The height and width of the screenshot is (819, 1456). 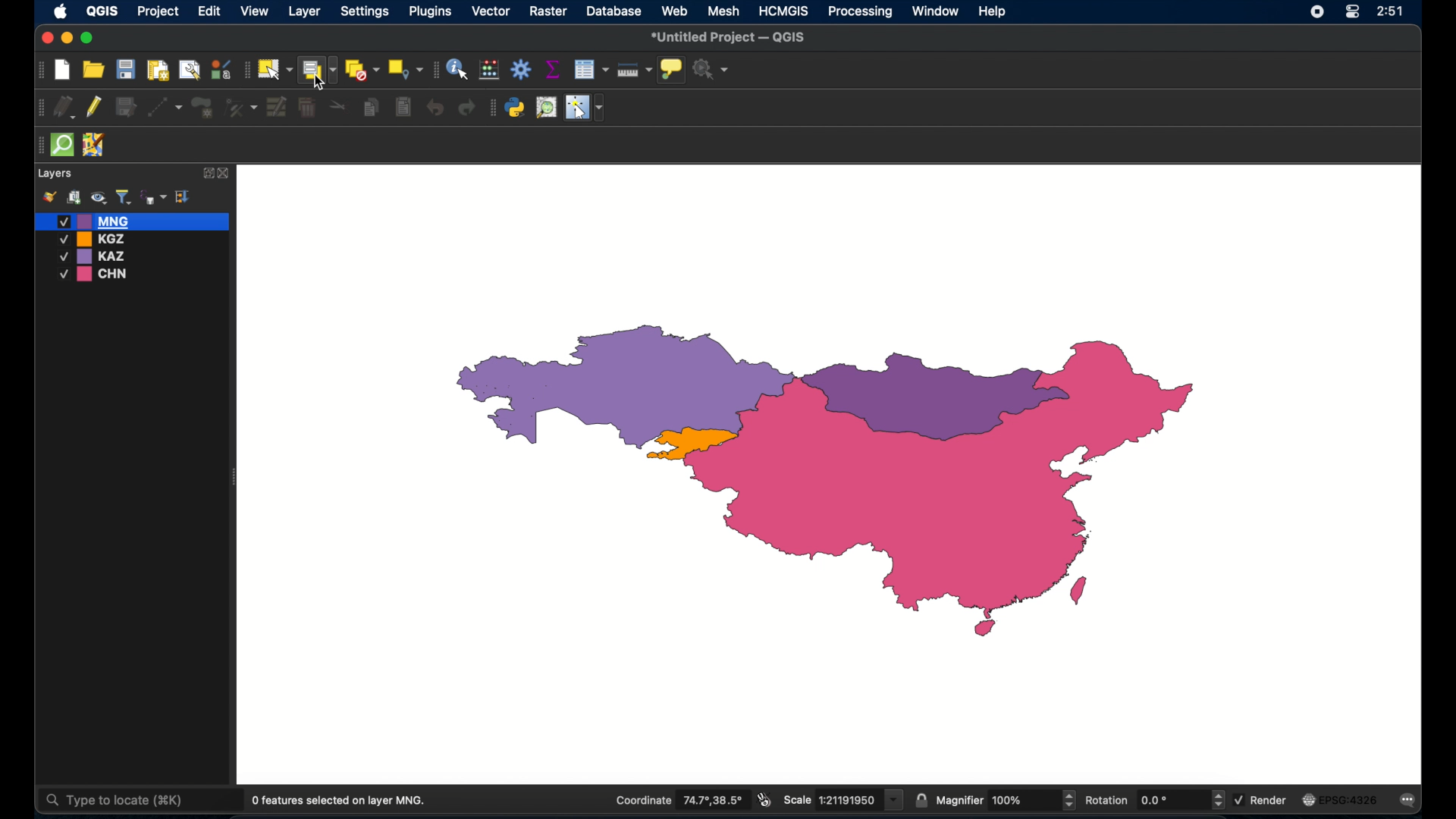 What do you see at coordinates (492, 11) in the screenshot?
I see `vector` at bounding box center [492, 11].